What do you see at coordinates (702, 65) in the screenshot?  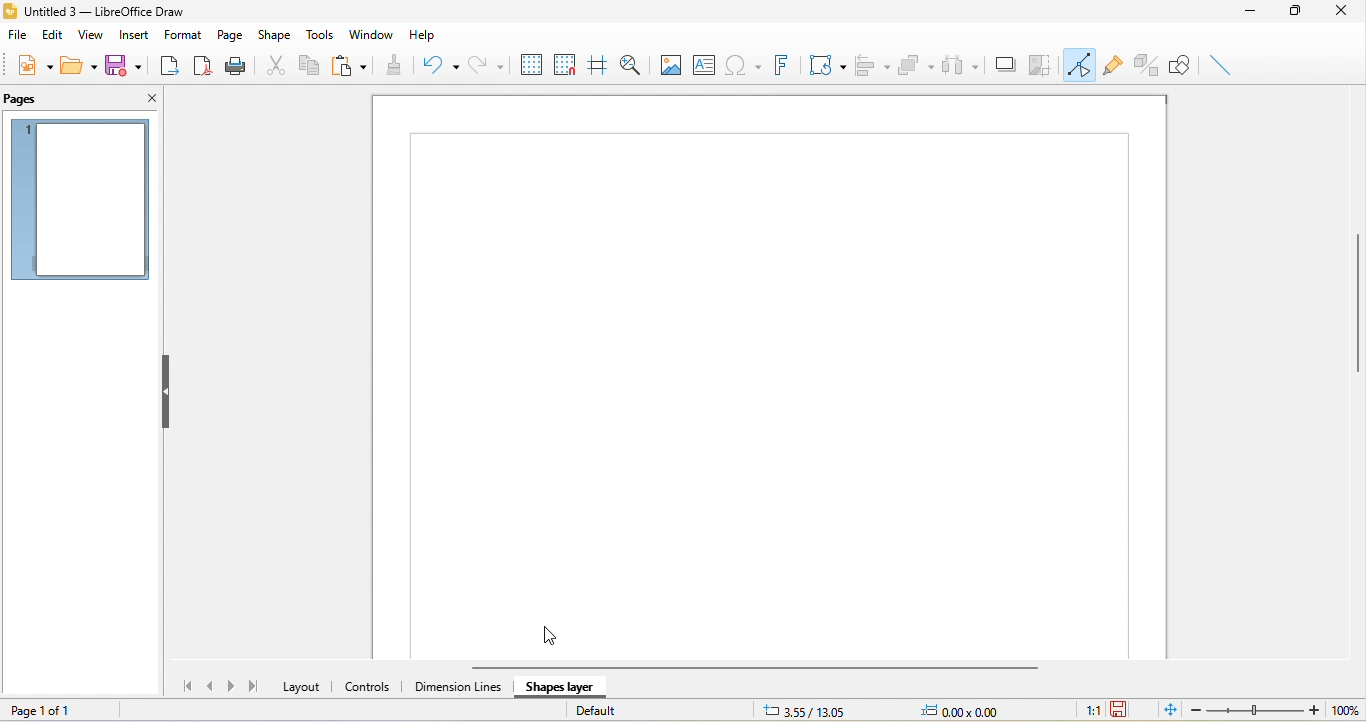 I see `text box` at bounding box center [702, 65].